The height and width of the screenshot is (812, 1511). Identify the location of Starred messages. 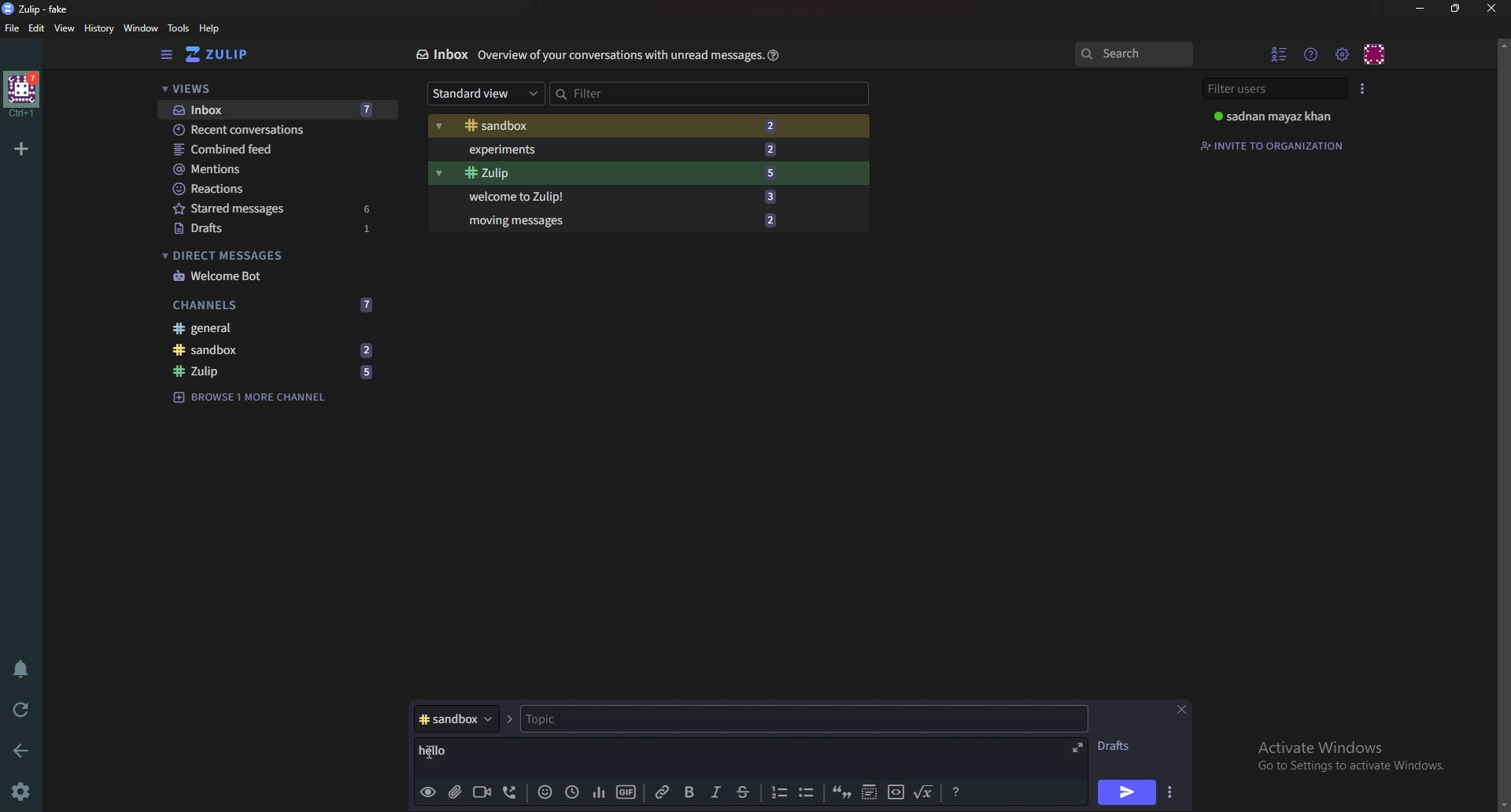
(276, 207).